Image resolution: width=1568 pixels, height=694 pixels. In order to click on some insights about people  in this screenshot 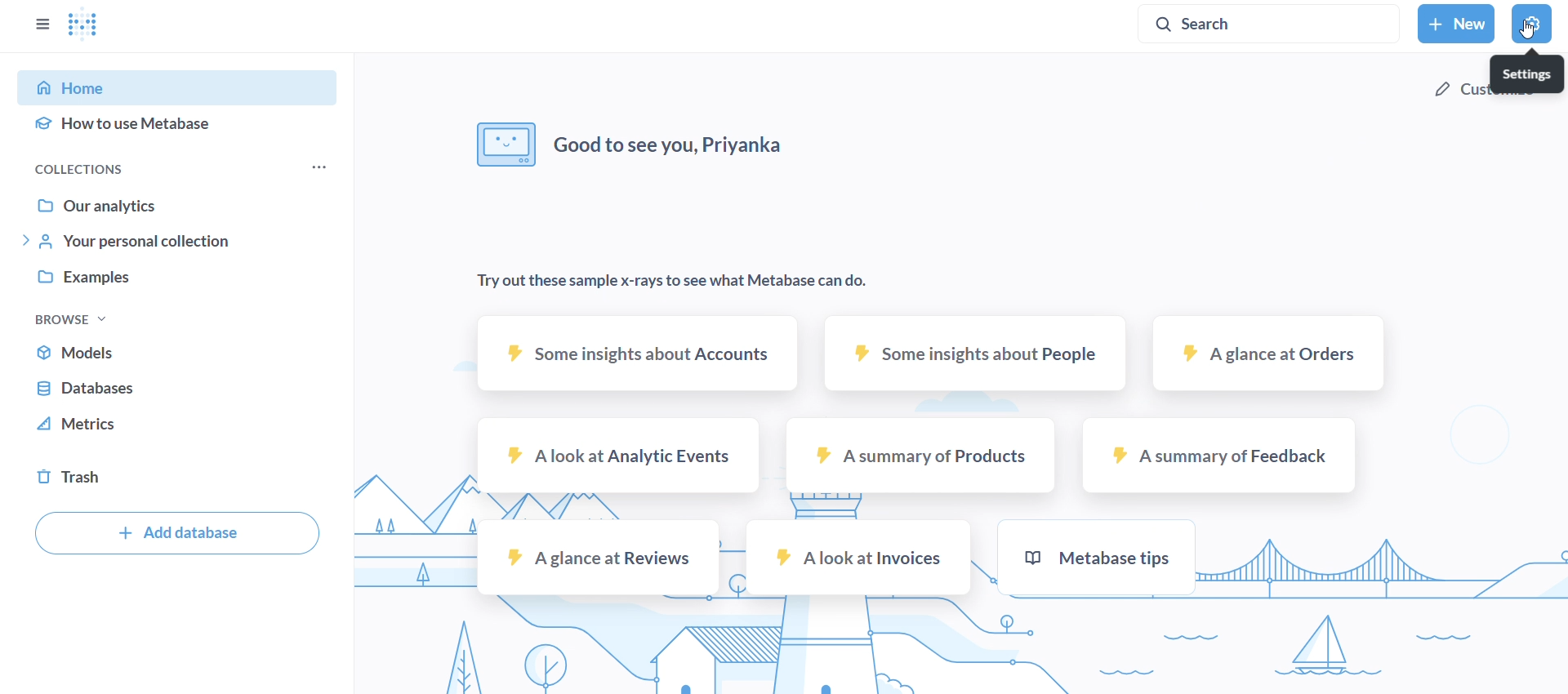, I will do `click(976, 353)`.